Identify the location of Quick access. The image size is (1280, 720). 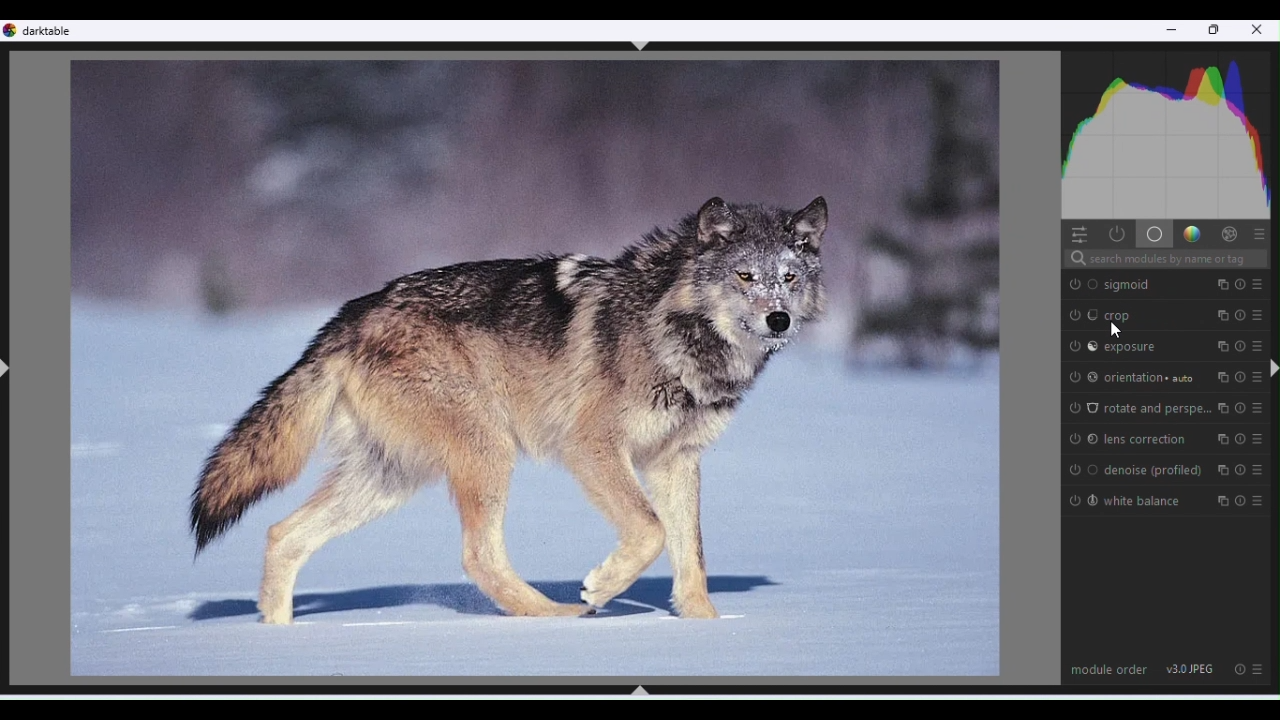
(1077, 233).